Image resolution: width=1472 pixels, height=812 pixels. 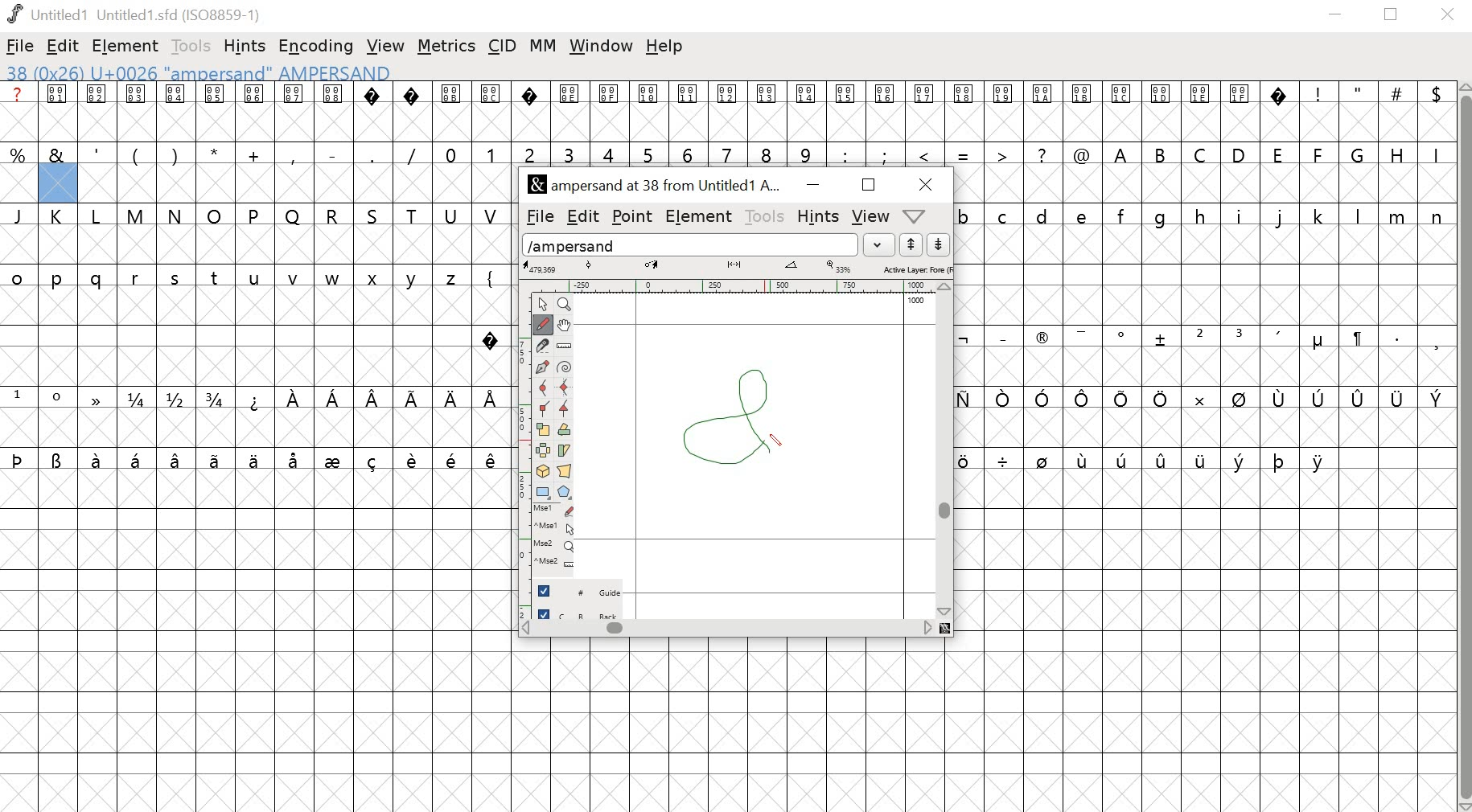 I want to click on Symbol, so click(x=1318, y=342).